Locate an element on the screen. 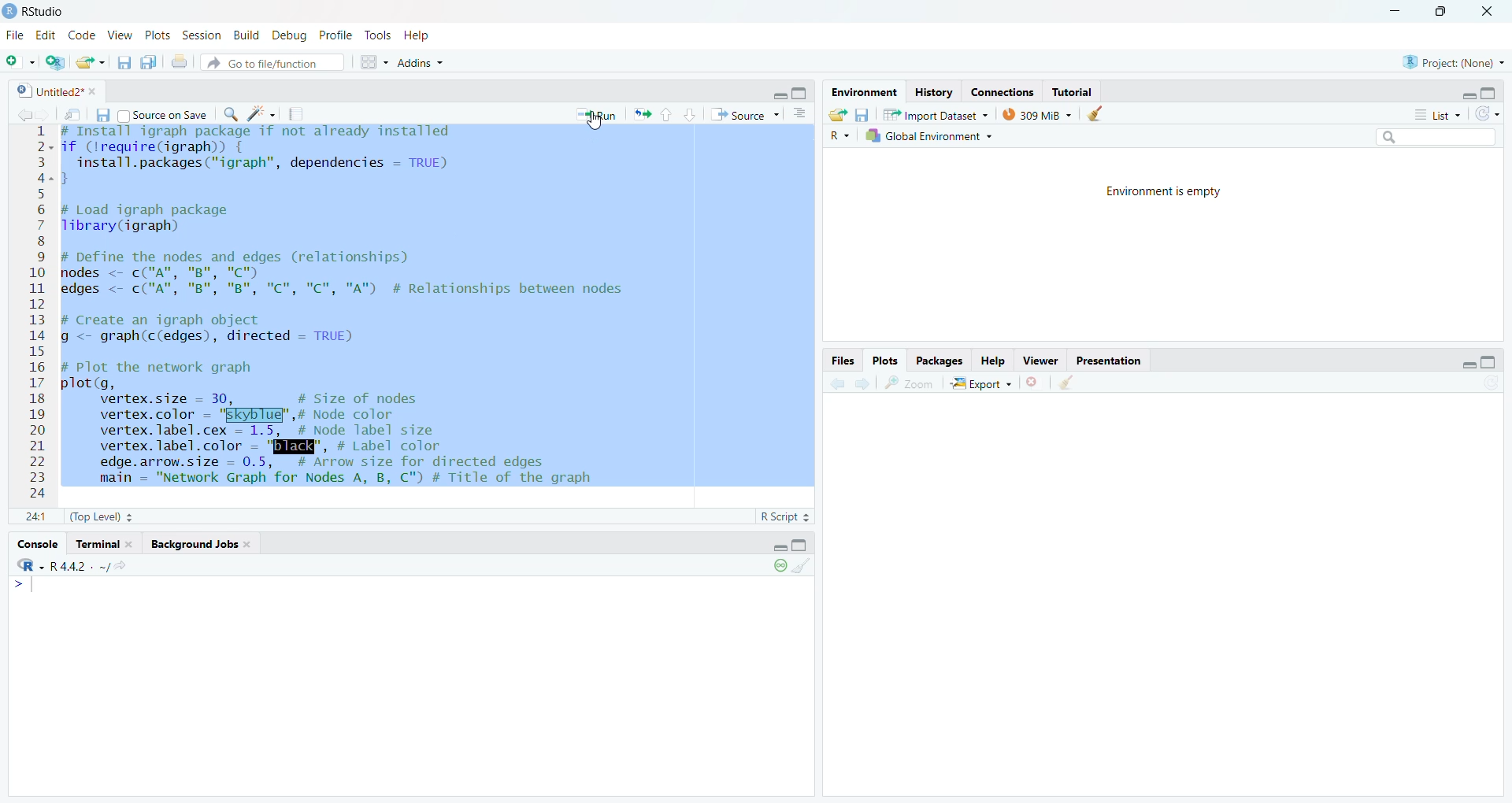 The height and width of the screenshot is (803, 1512). Environment is located at coordinates (866, 92).